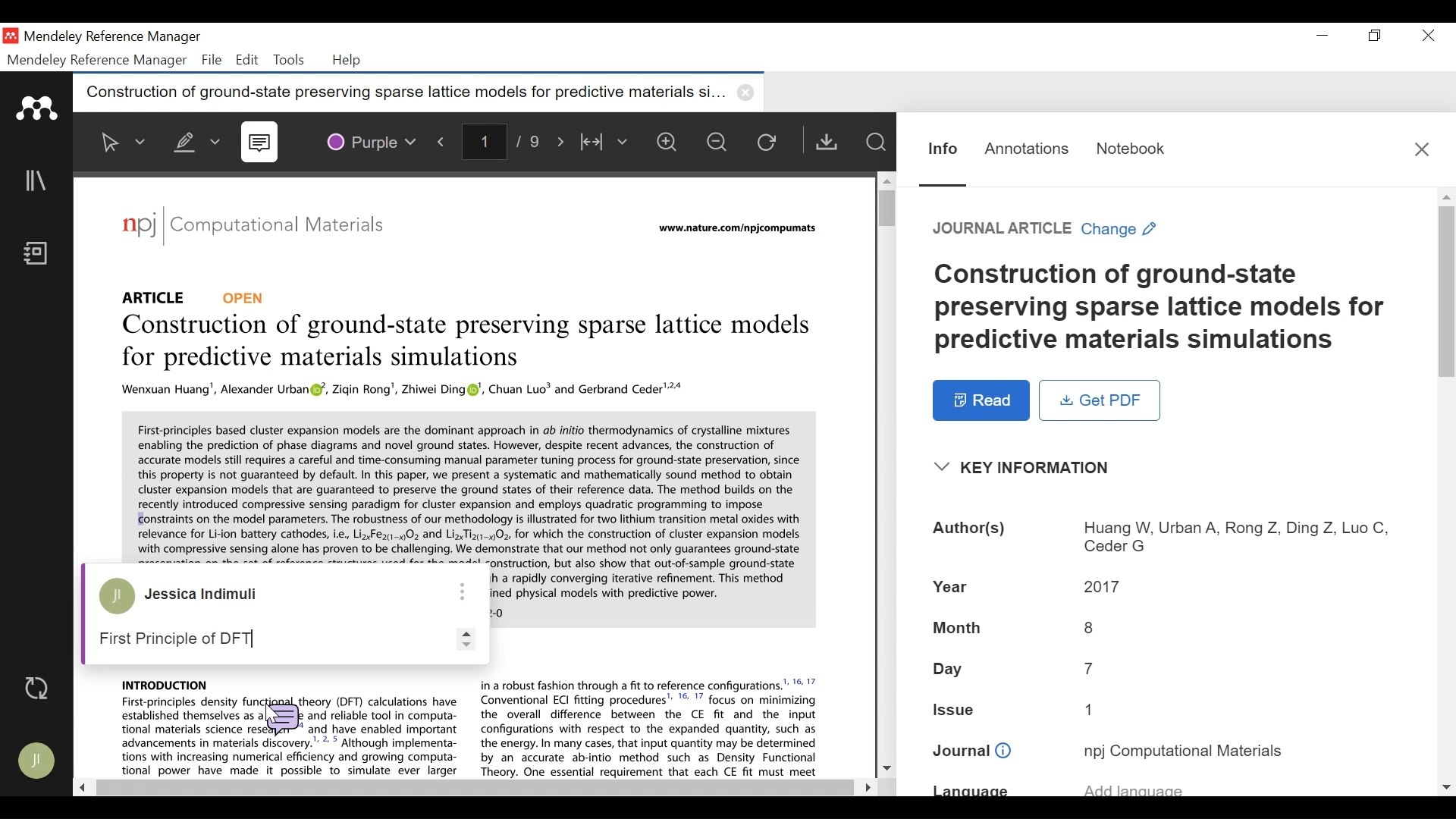 The height and width of the screenshot is (819, 1456). What do you see at coordinates (1100, 400) in the screenshot?
I see `Get PDF` at bounding box center [1100, 400].